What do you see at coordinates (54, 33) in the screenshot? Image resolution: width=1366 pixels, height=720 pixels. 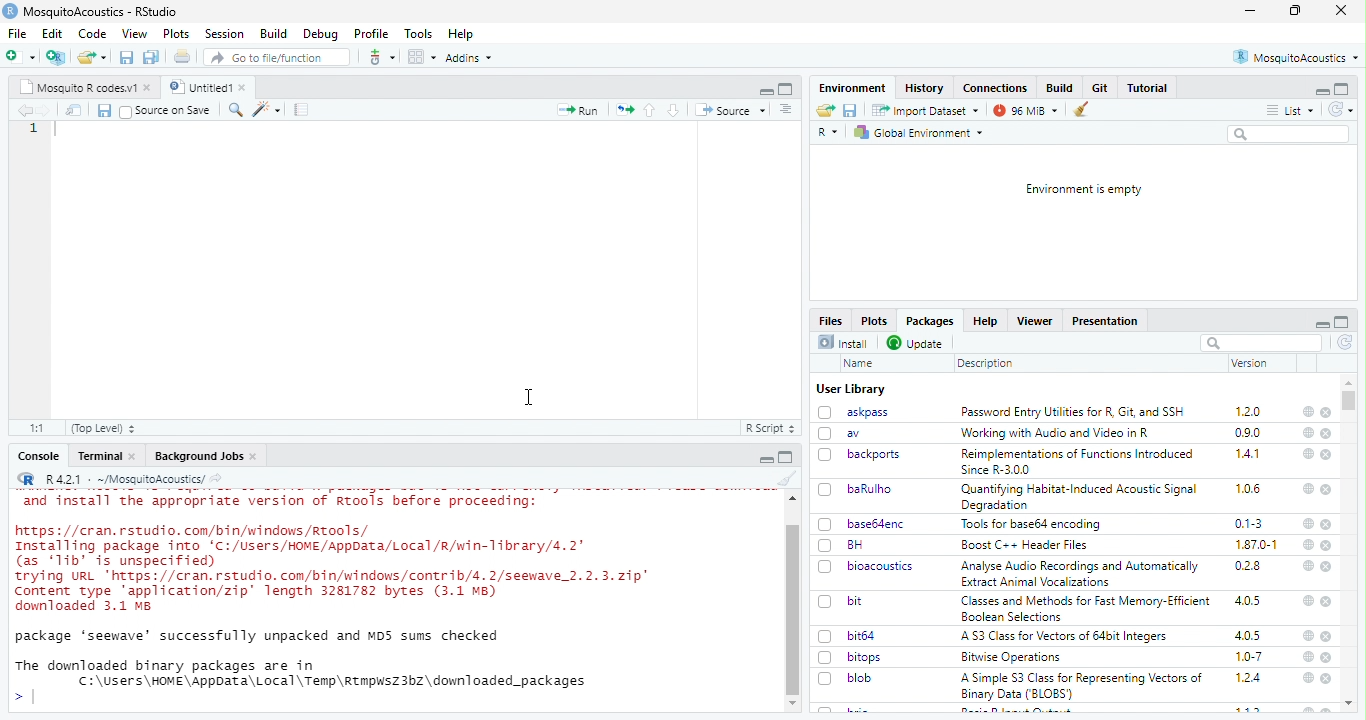 I see `Edit` at bounding box center [54, 33].